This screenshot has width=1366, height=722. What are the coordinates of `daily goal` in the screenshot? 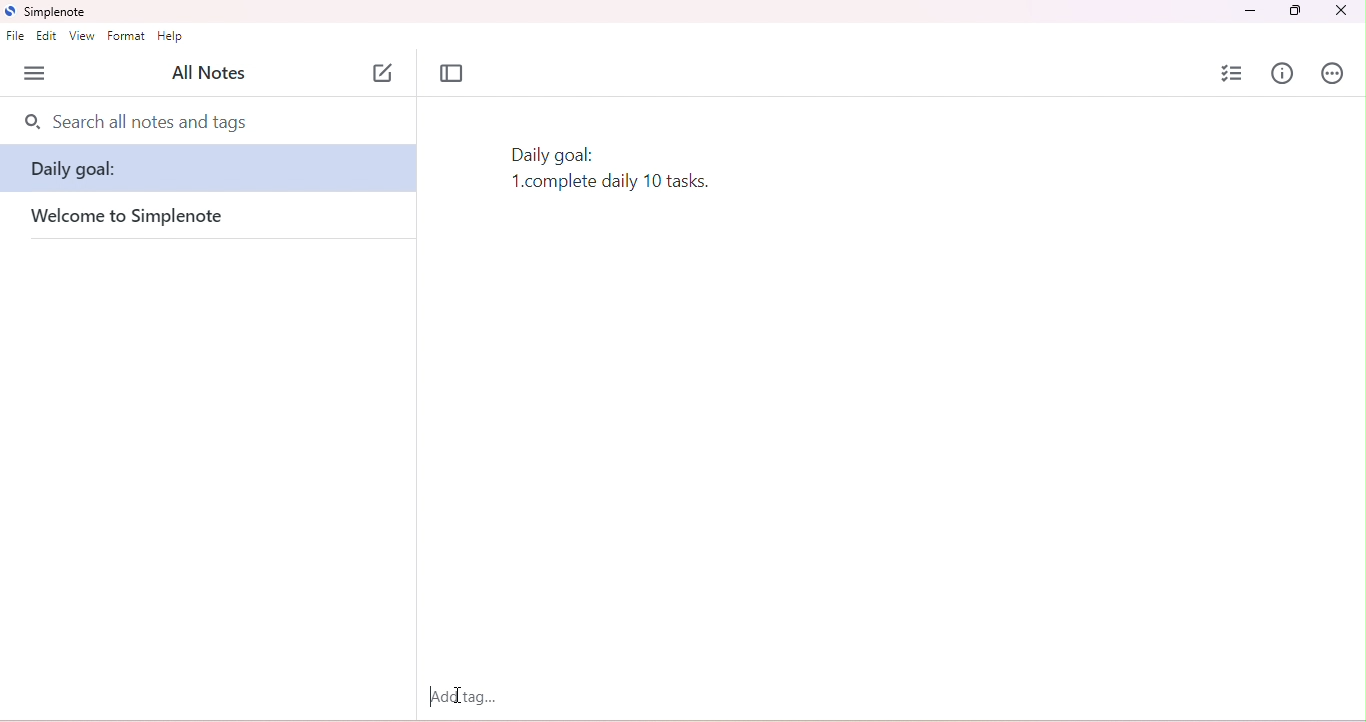 It's located at (210, 177).